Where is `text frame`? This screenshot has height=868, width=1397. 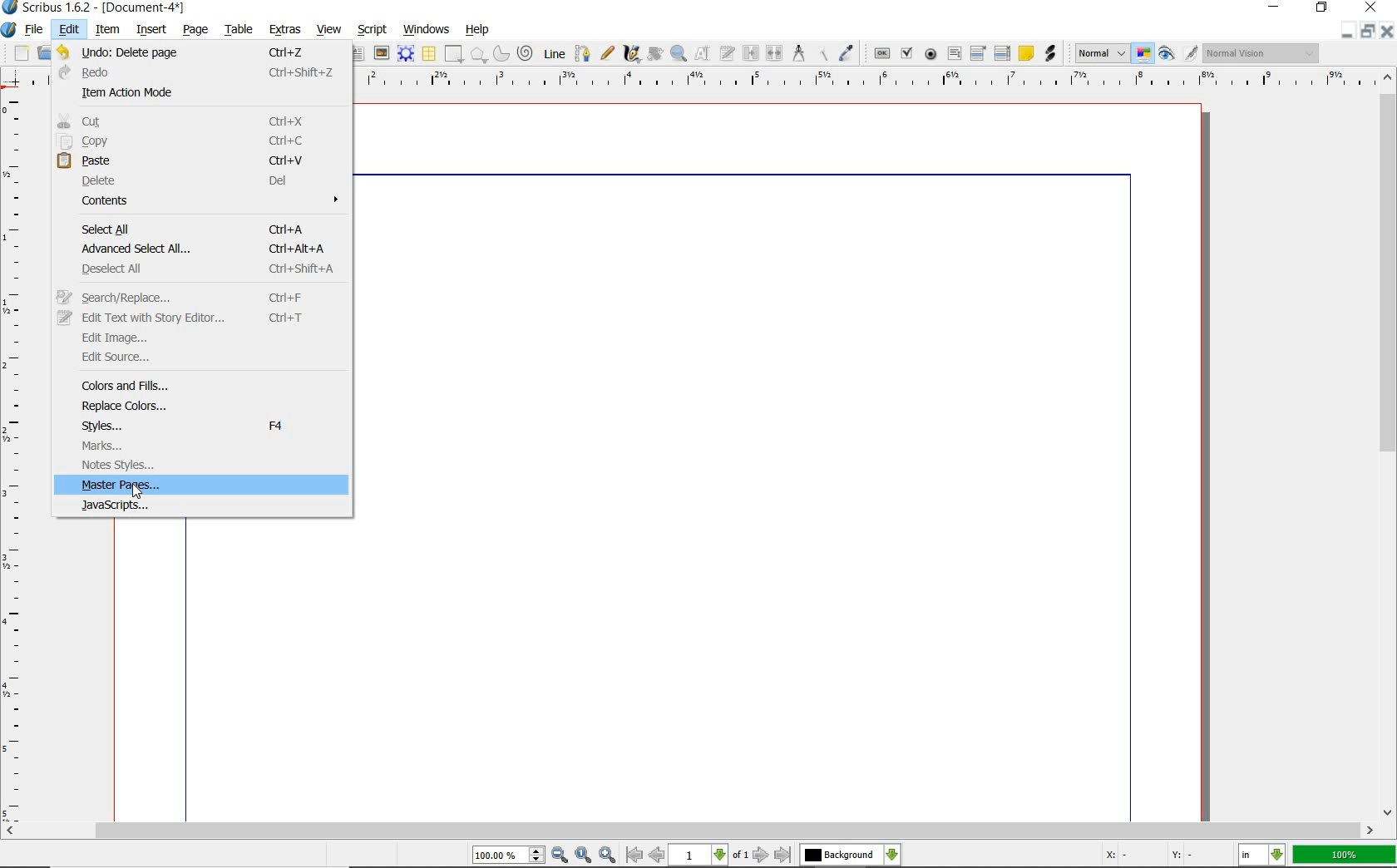 text frame is located at coordinates (360, 53).